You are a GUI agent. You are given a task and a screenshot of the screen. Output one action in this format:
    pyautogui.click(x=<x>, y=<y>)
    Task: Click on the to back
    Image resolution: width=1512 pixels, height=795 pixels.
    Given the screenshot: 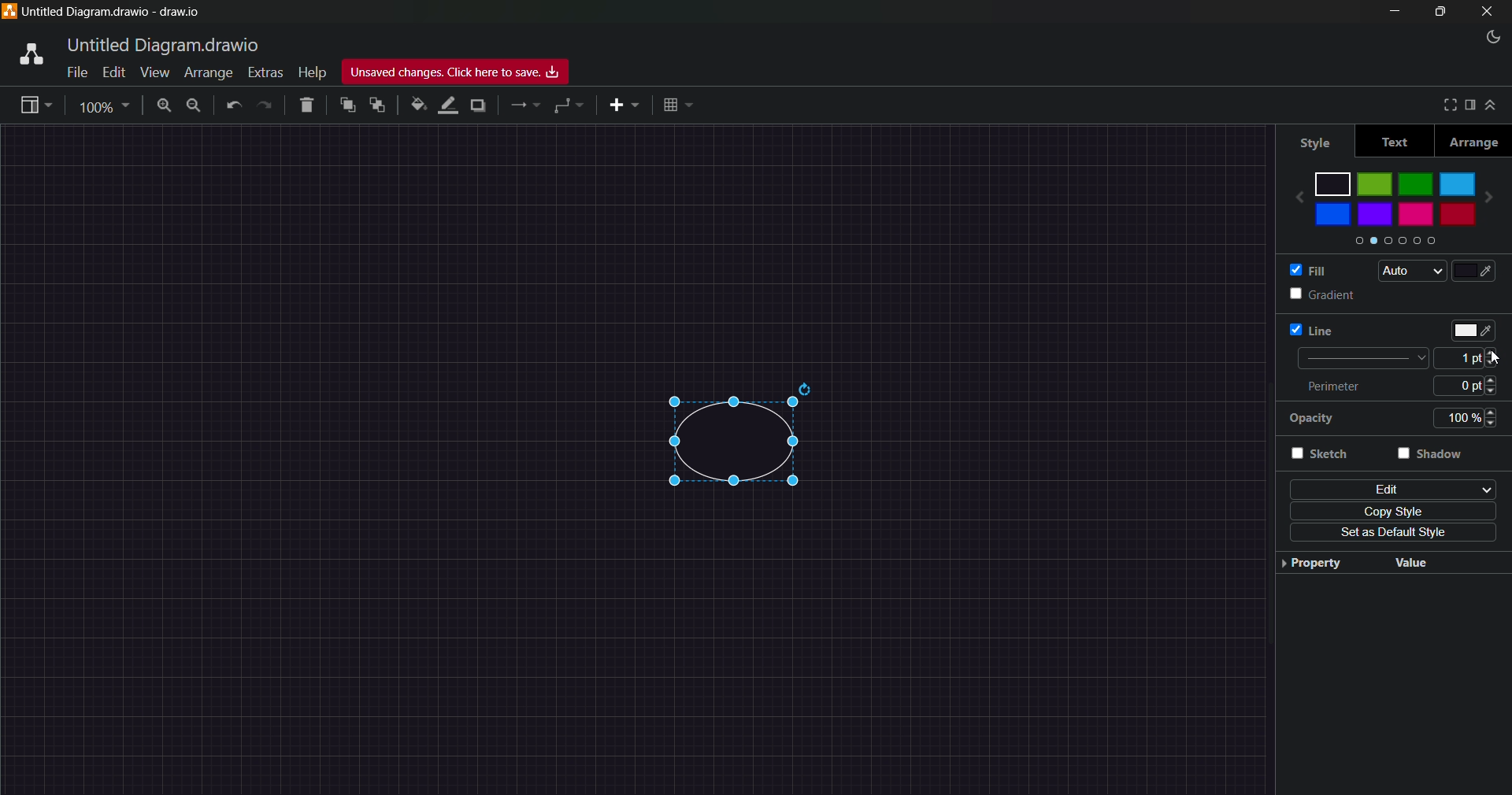 What is the action you would take?
    pyautogui.click(x=377, y=106)
    